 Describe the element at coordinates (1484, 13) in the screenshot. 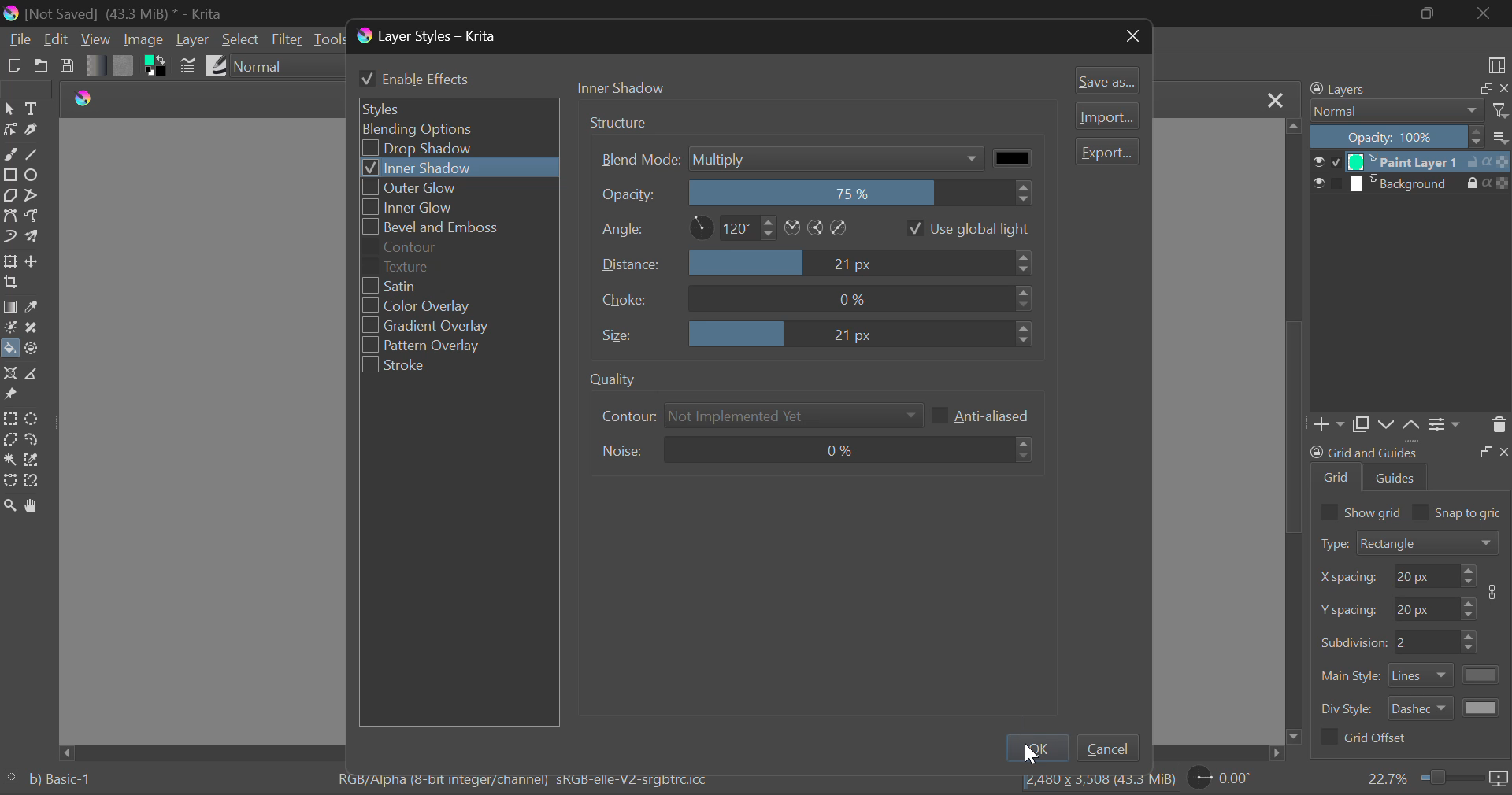

I see `Close` at that location.